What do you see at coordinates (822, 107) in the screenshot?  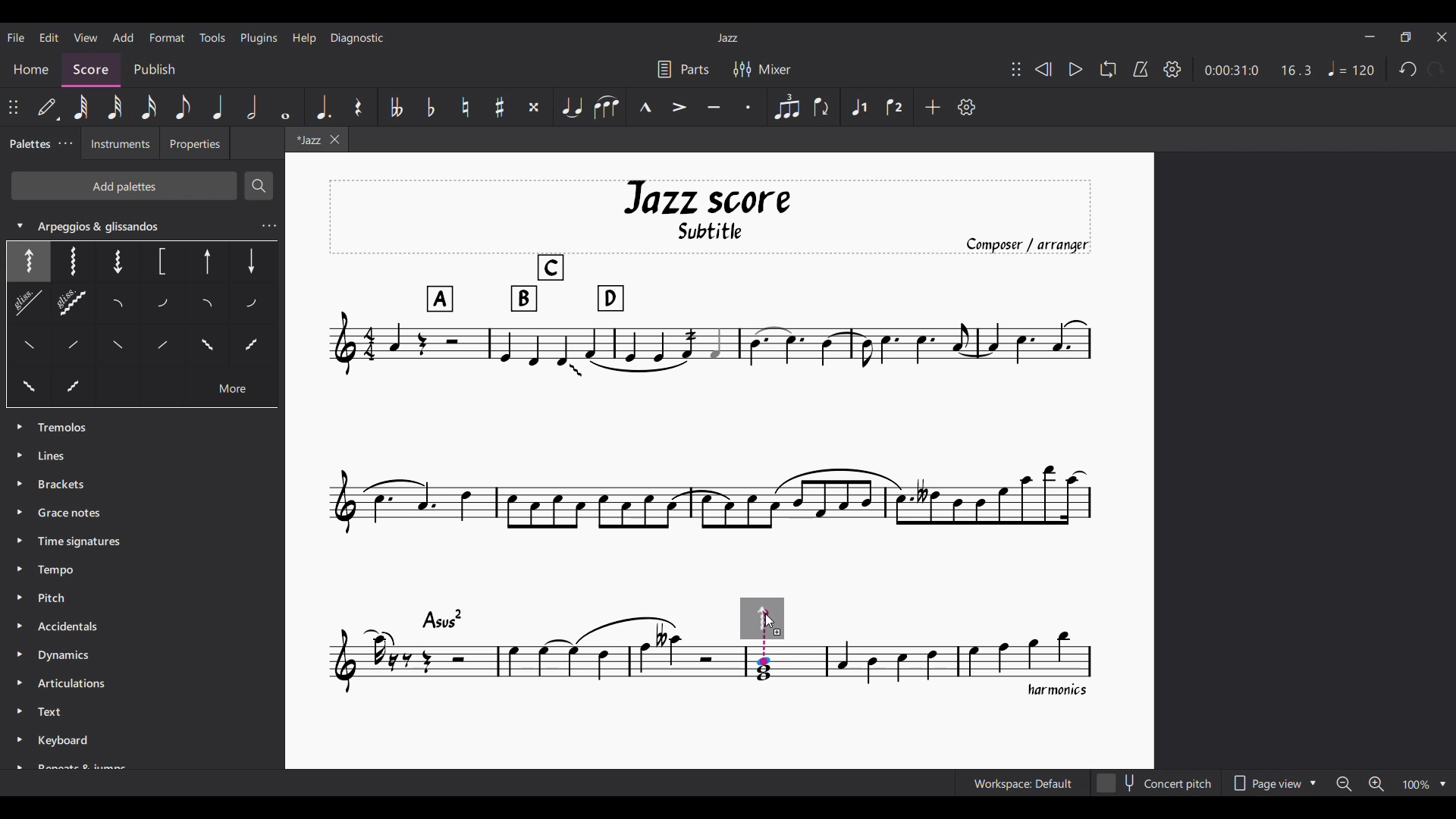 I see `Flip direction` at bounding box center [822, 107].